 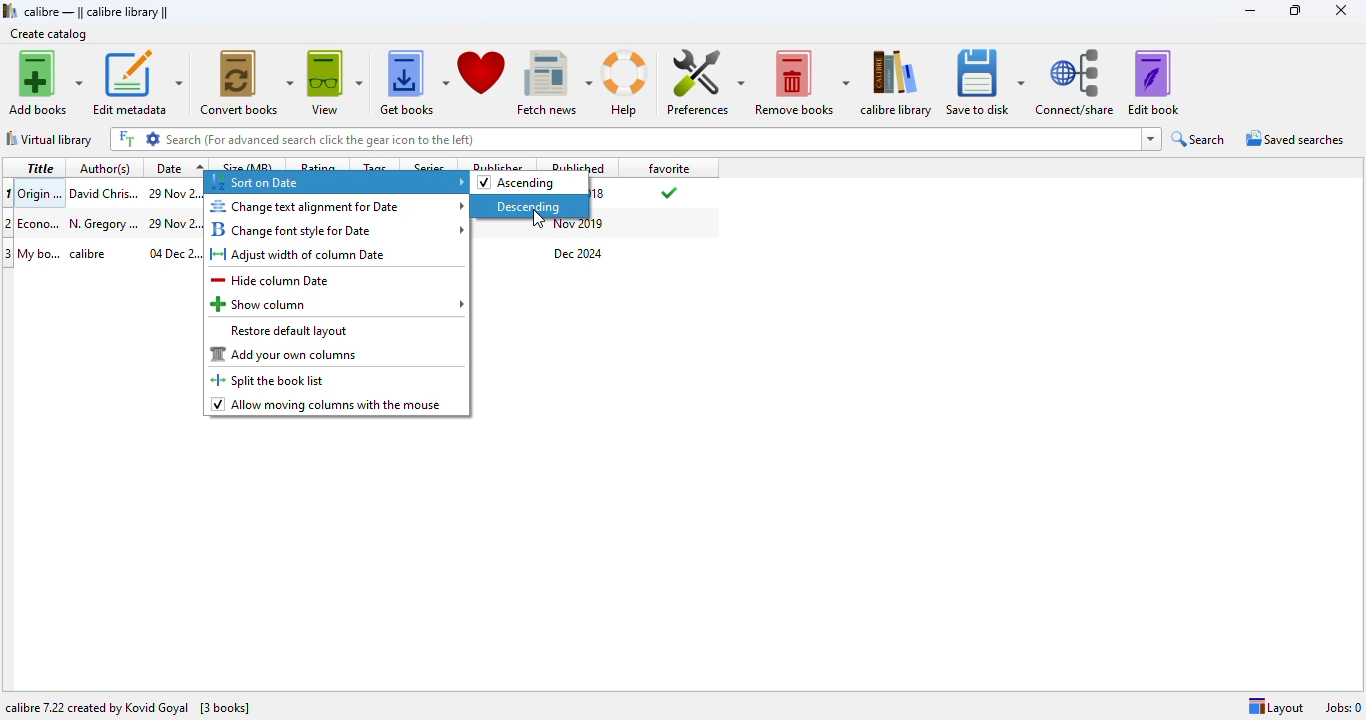 What do you see at coordinates (338, 304) in the screenshot?
I see `show column` at bounding box center [338, 304].